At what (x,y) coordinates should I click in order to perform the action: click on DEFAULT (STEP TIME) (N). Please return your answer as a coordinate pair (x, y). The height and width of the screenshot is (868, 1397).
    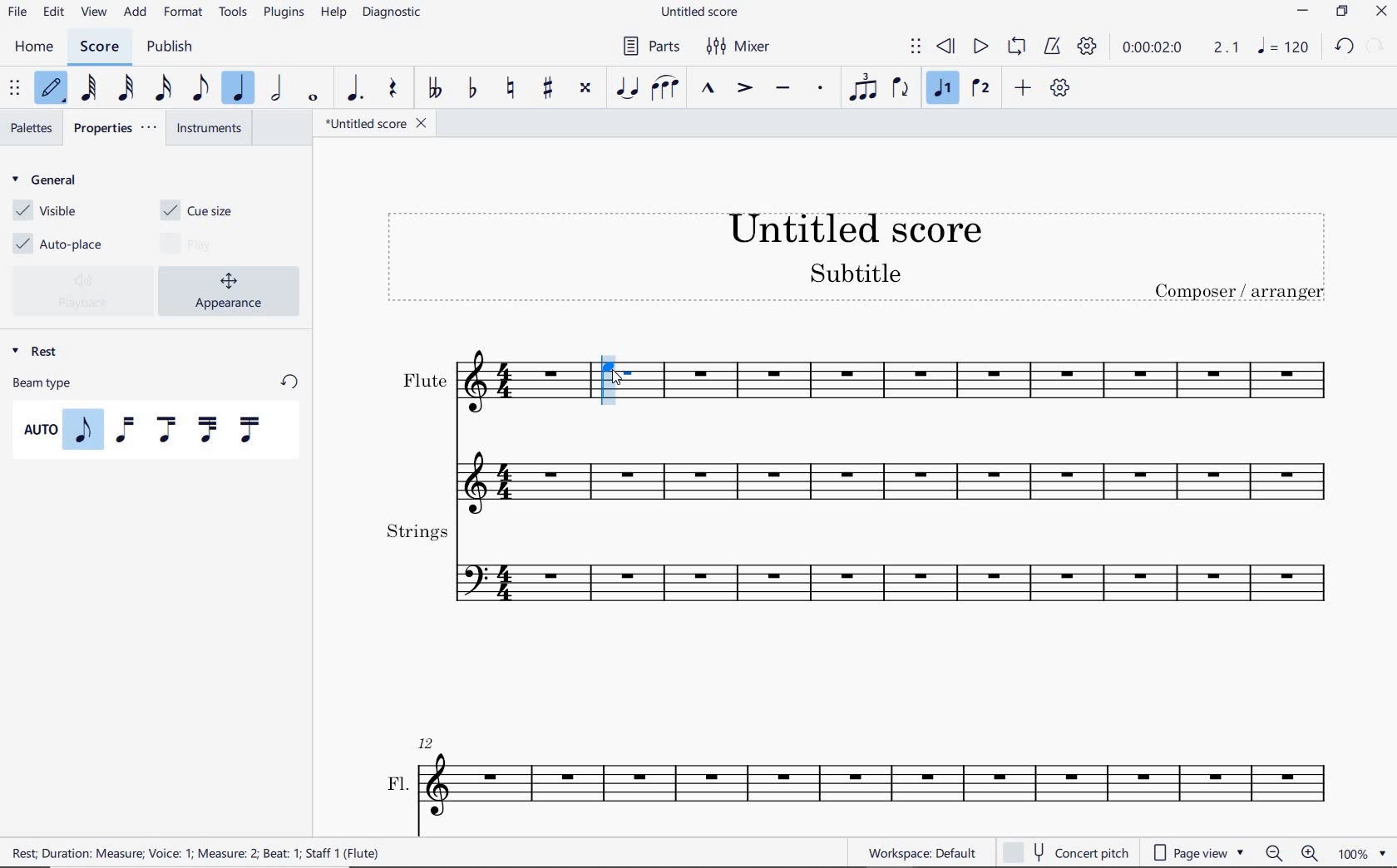
    Looking at the image, I should click on (51, 89).